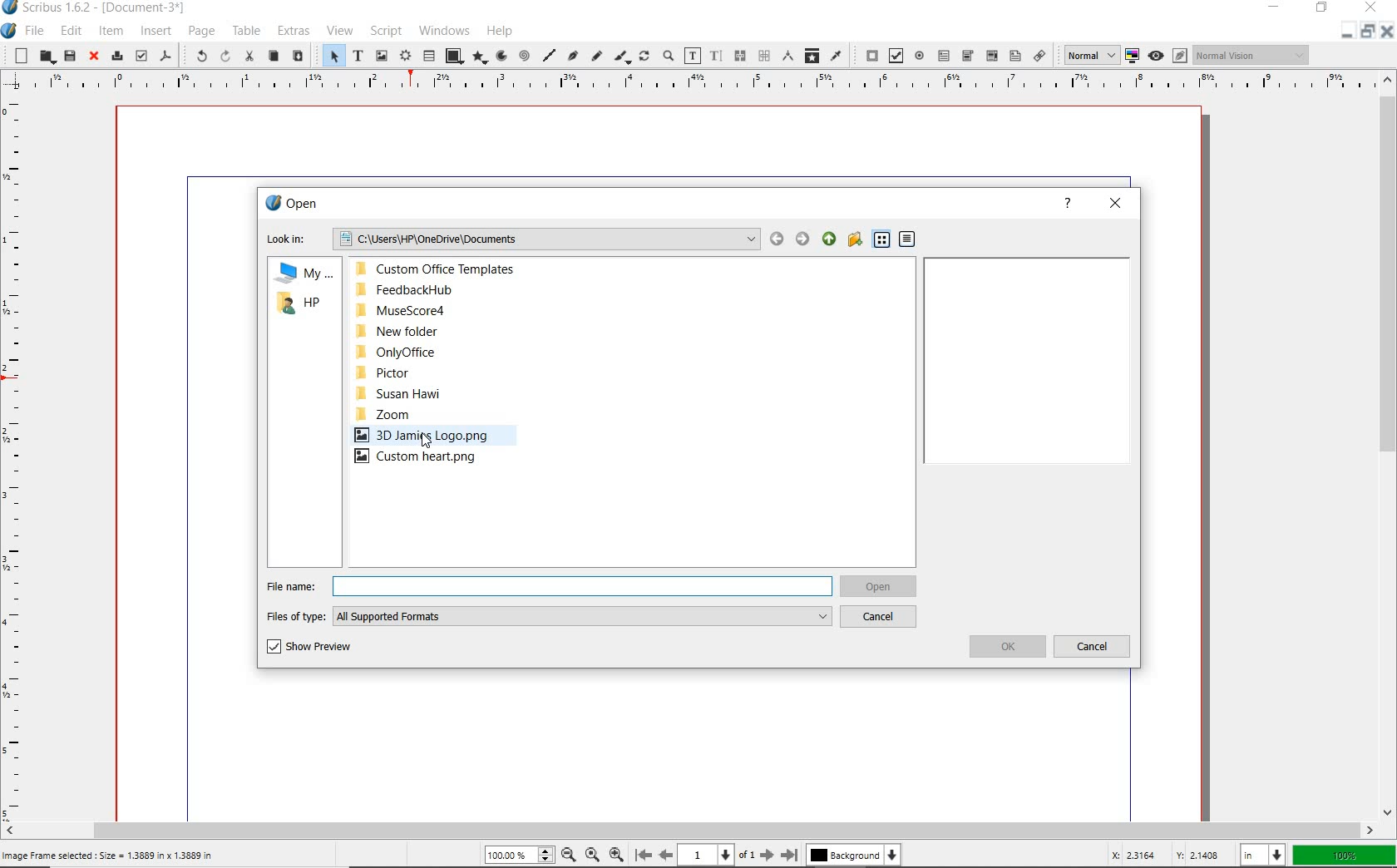 This screenshot has width=1397, height=868. Describe the element at coordinates (593, 856) in the screenshot. I see `zoom to` at that location.